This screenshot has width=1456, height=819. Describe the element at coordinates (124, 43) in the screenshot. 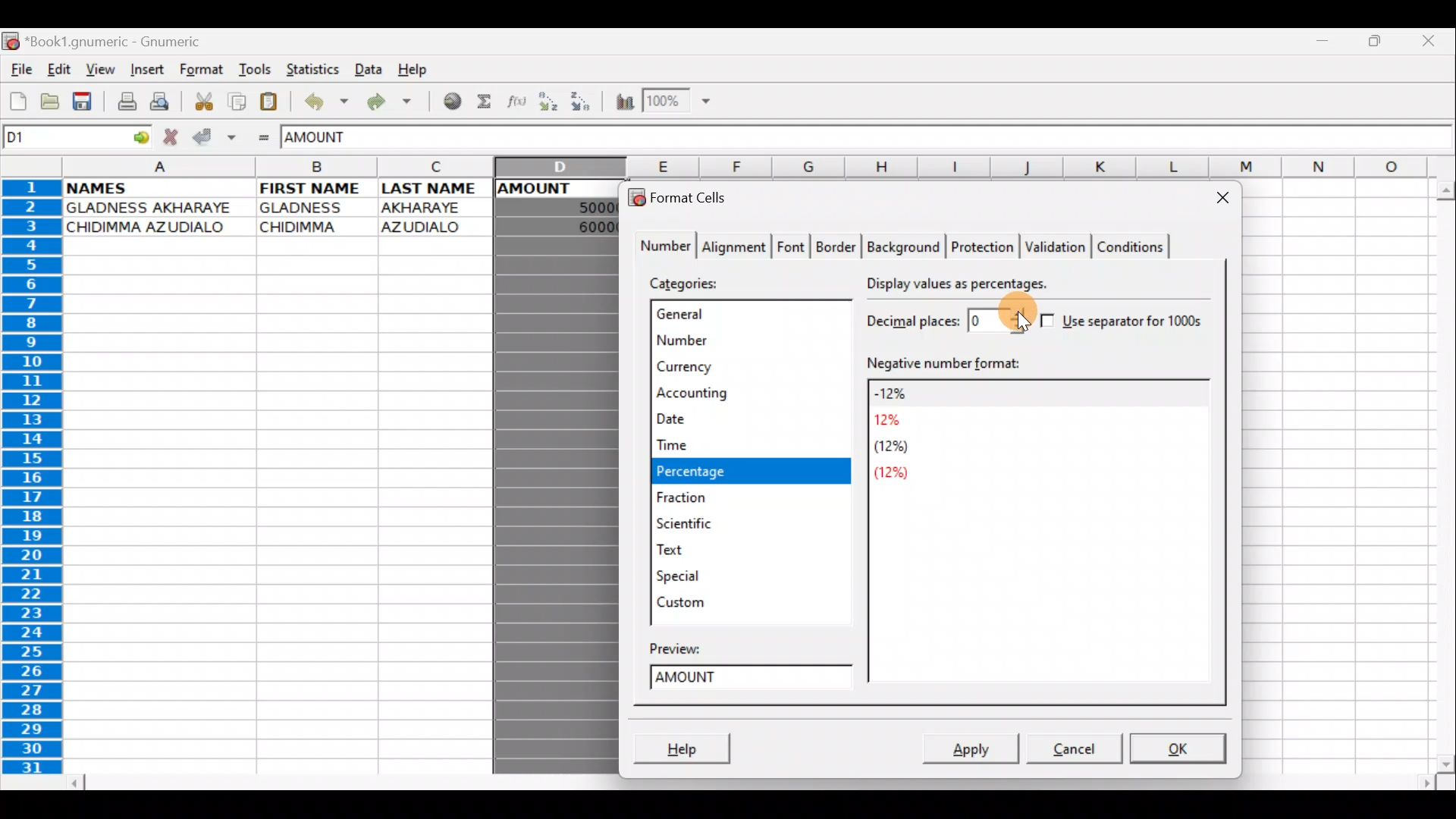

I see `*Book 1.gnumeric - Gnumeric` at that location.